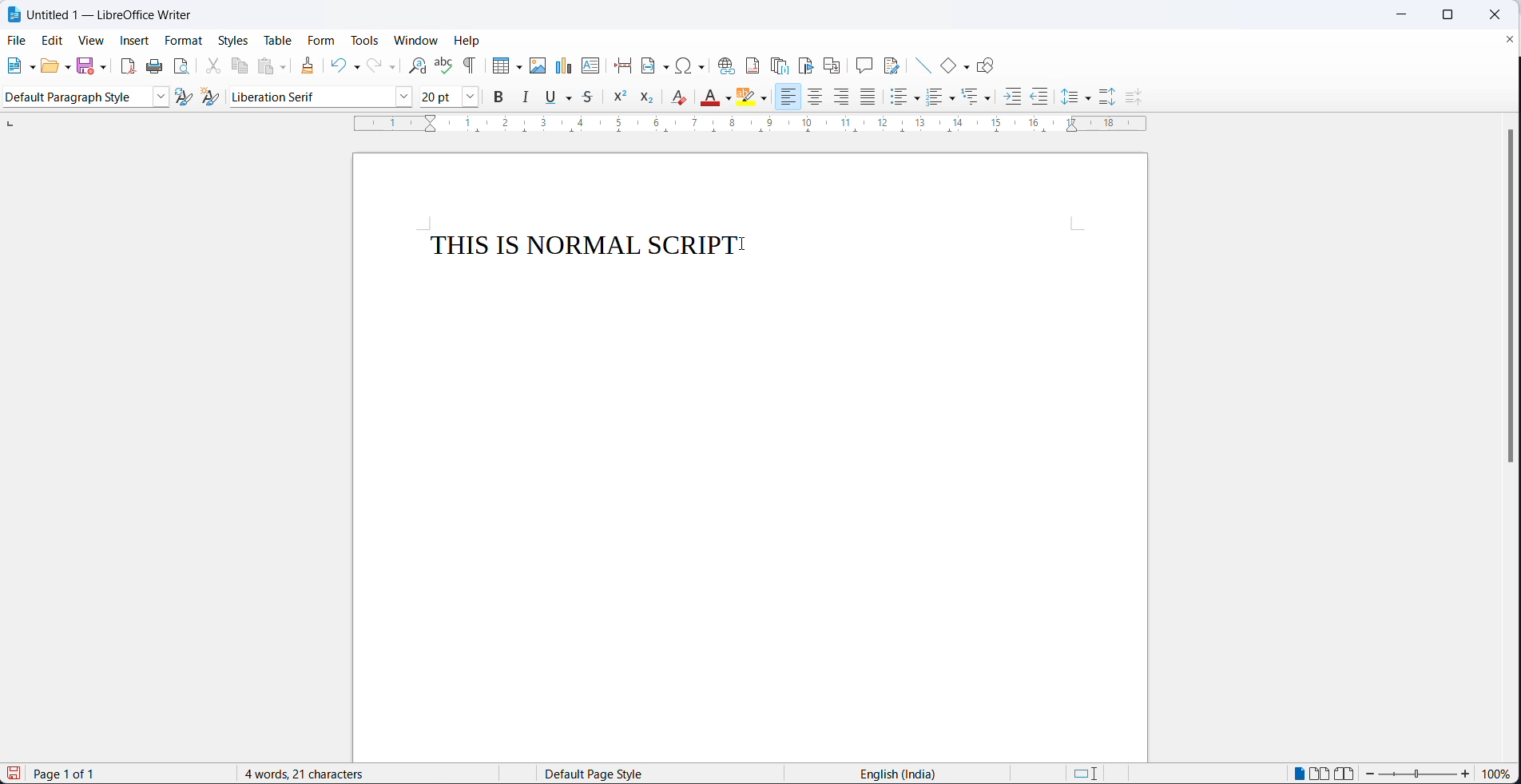 The image size is (1521, 784). I want to click on increase indent, so click(1011, 98).